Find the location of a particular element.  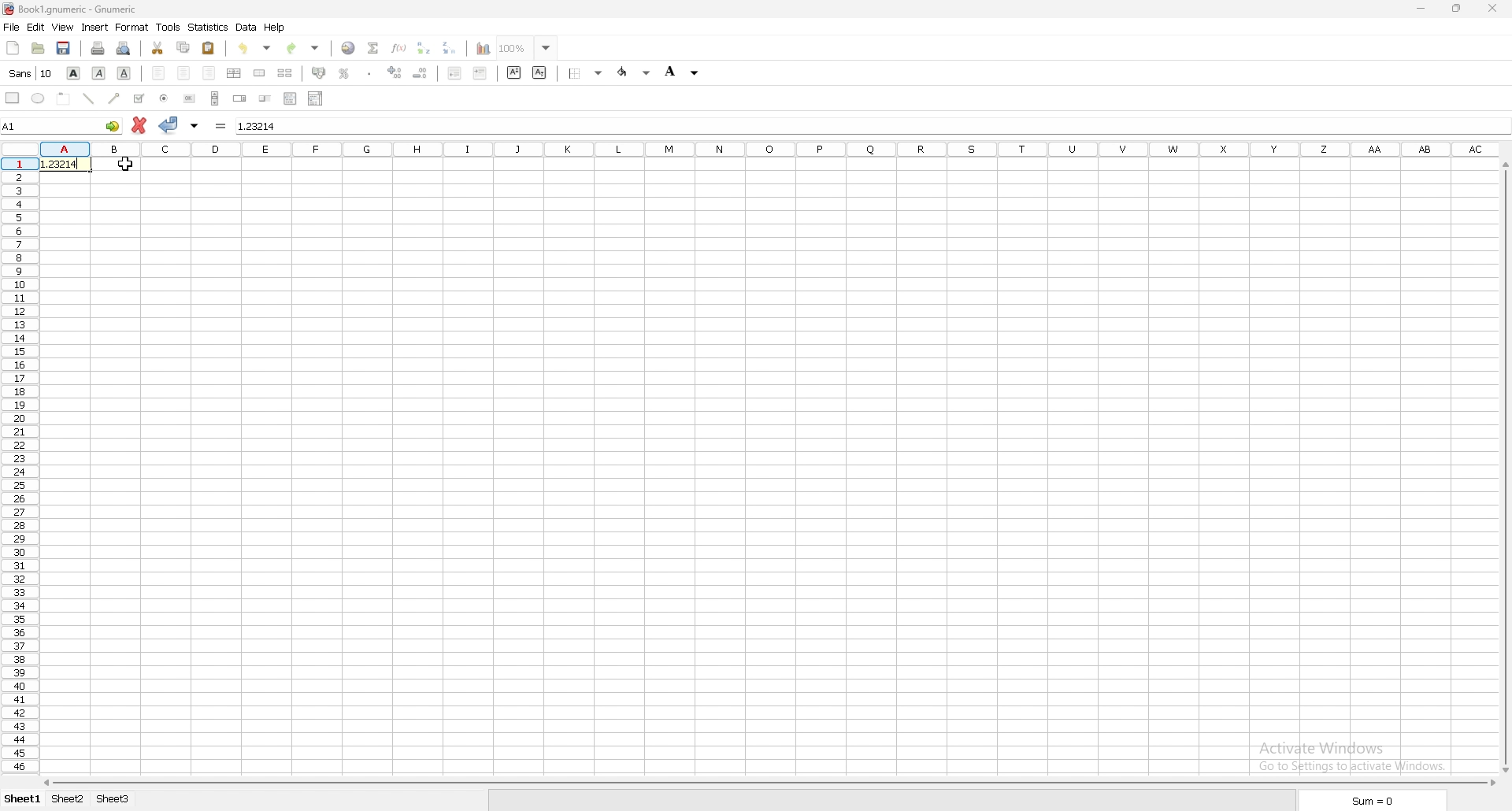

data is located at coordinates (246, 28).